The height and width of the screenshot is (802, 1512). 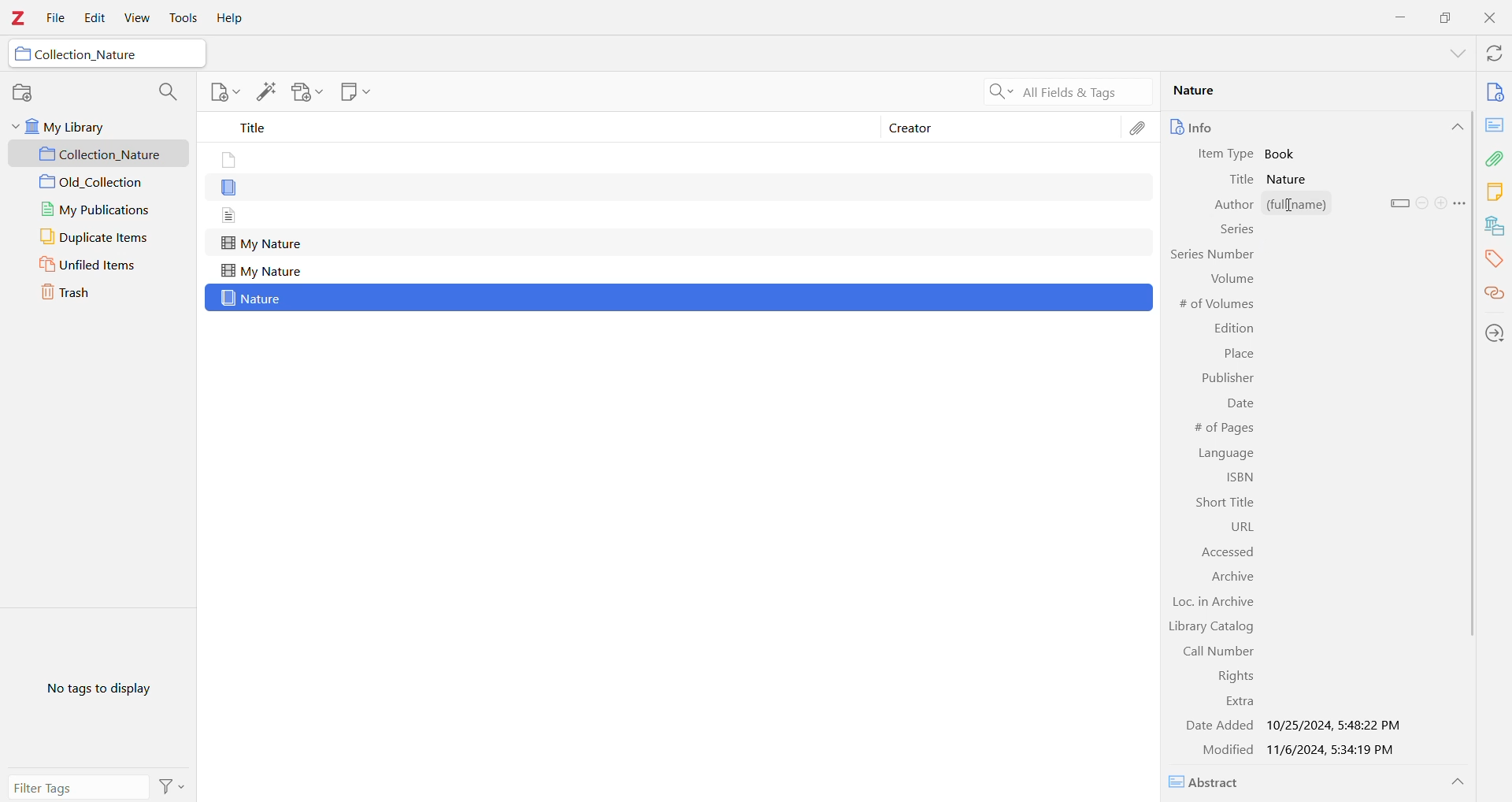 What do you see at coordinates (1234, 329) in the screenshot?
I see `Edition` at bounding box center [1234, 329].